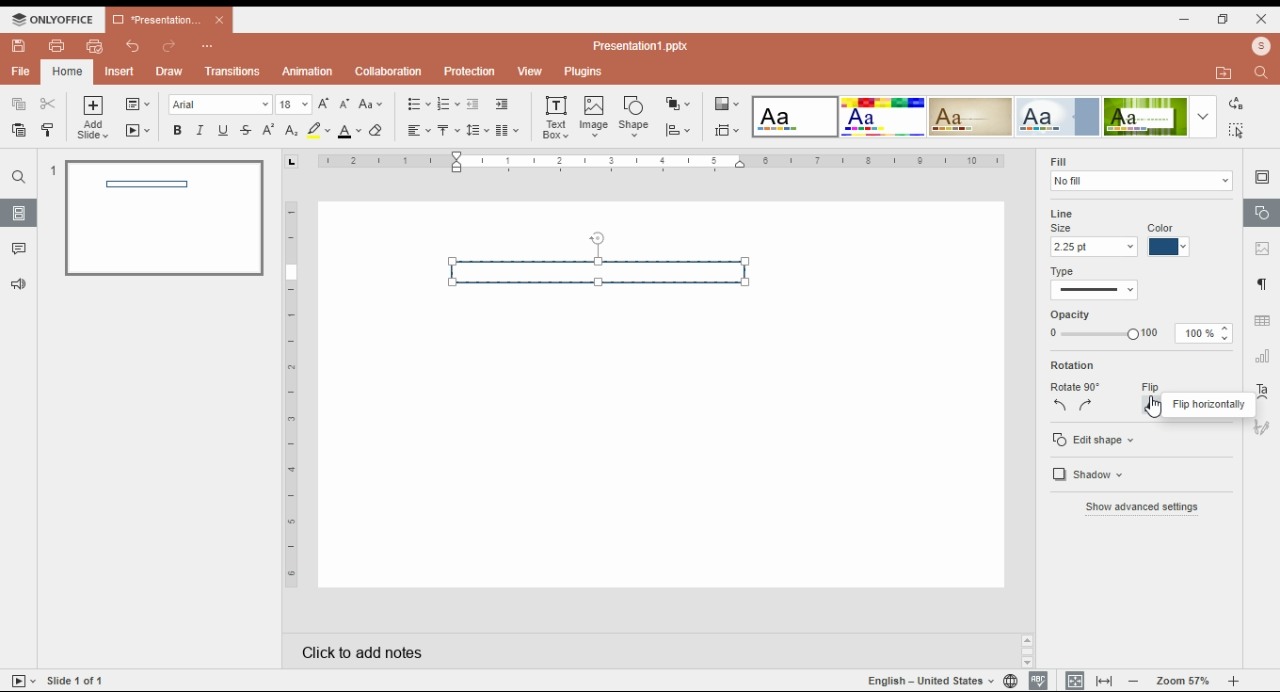 This screenshot has width=1280, height=692. Describe the element at coordinates (1263, 359) in the screenshot. I see `chart settings` at that location.